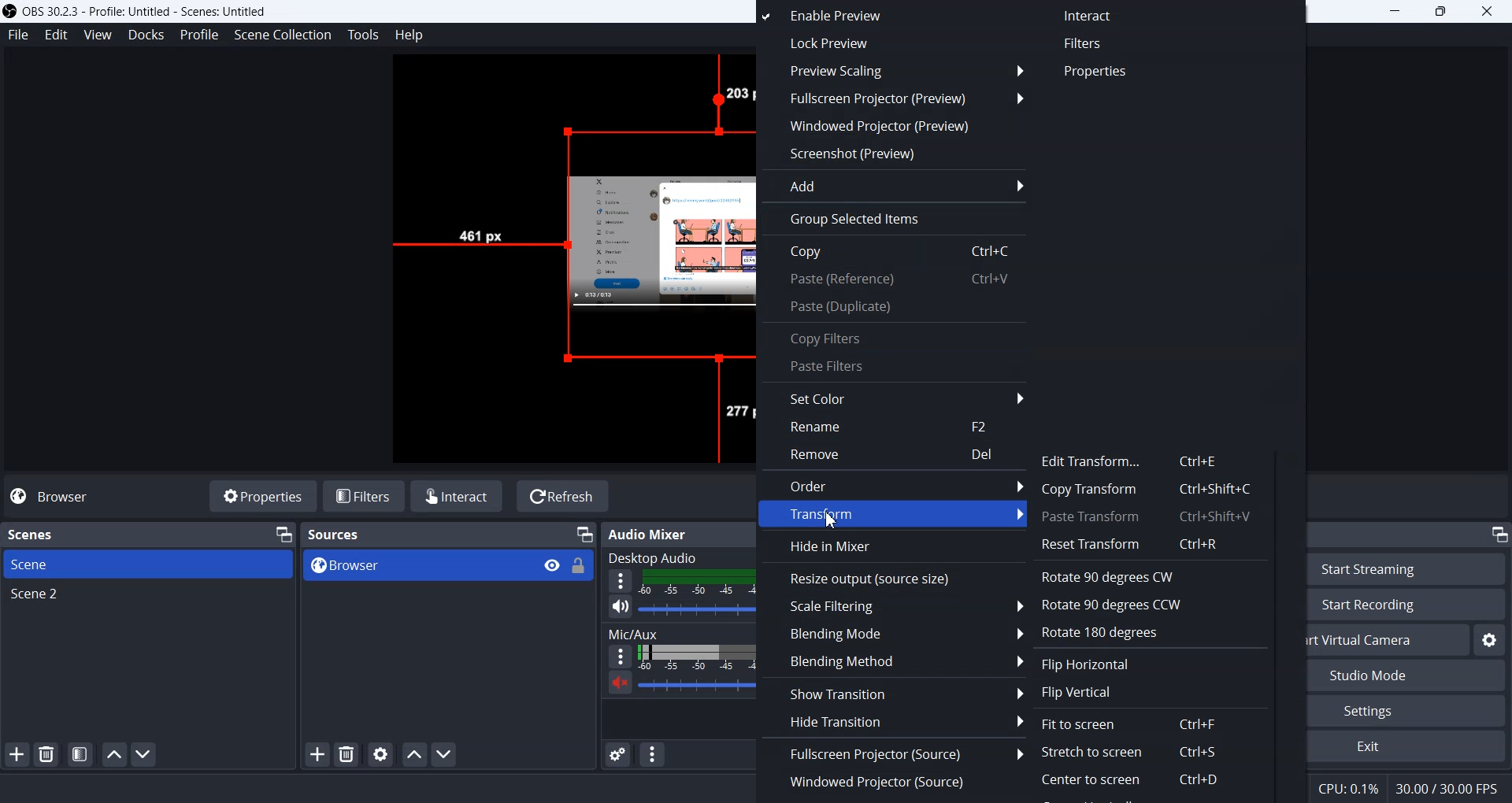 The width and height of the screenshot is (1512, 803). Describe the element at coordinates (891, 219) in the screenshot. I see `Group selected items` at that location.